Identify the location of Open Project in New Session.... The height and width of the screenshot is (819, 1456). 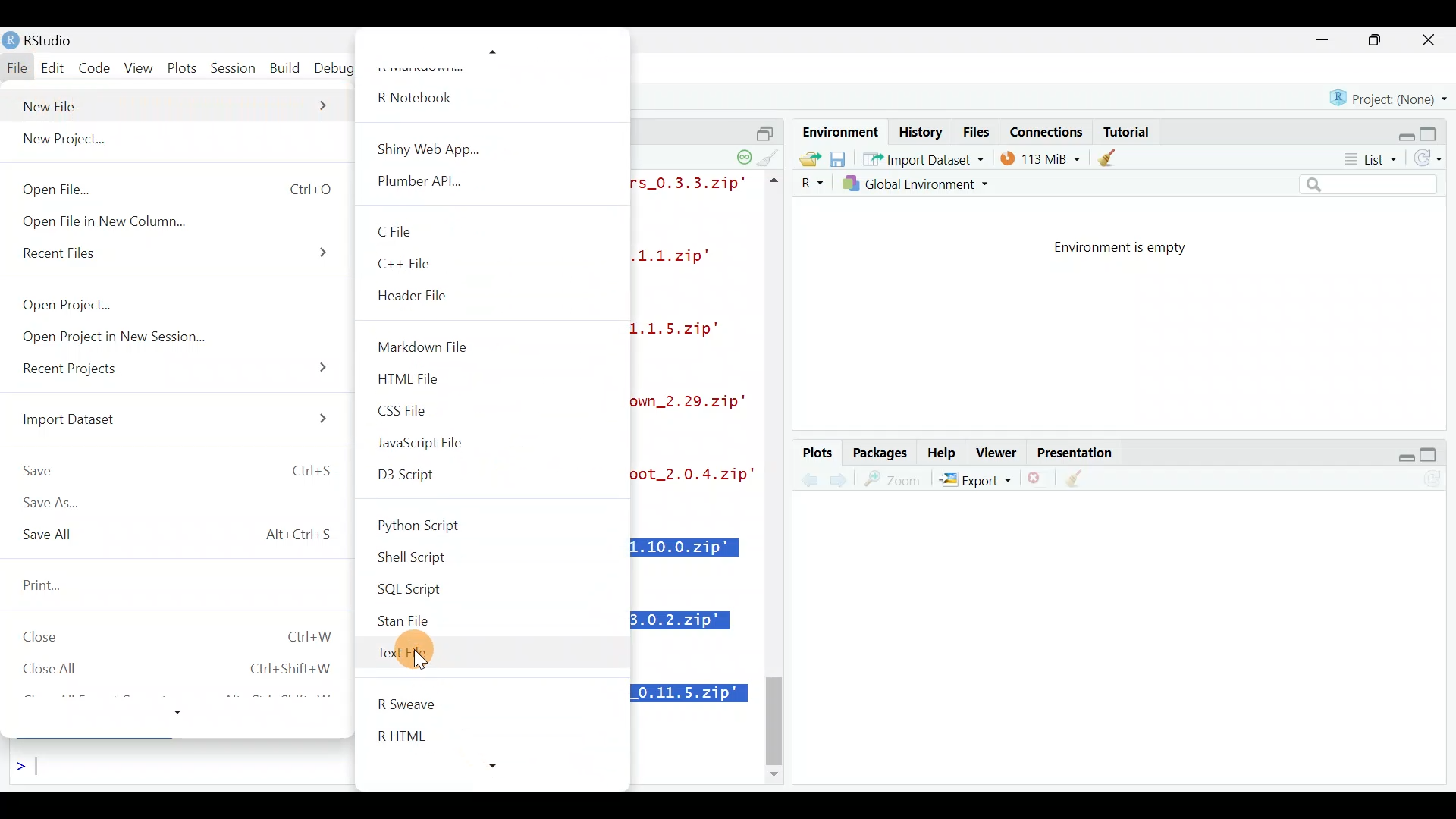
(137, 337).